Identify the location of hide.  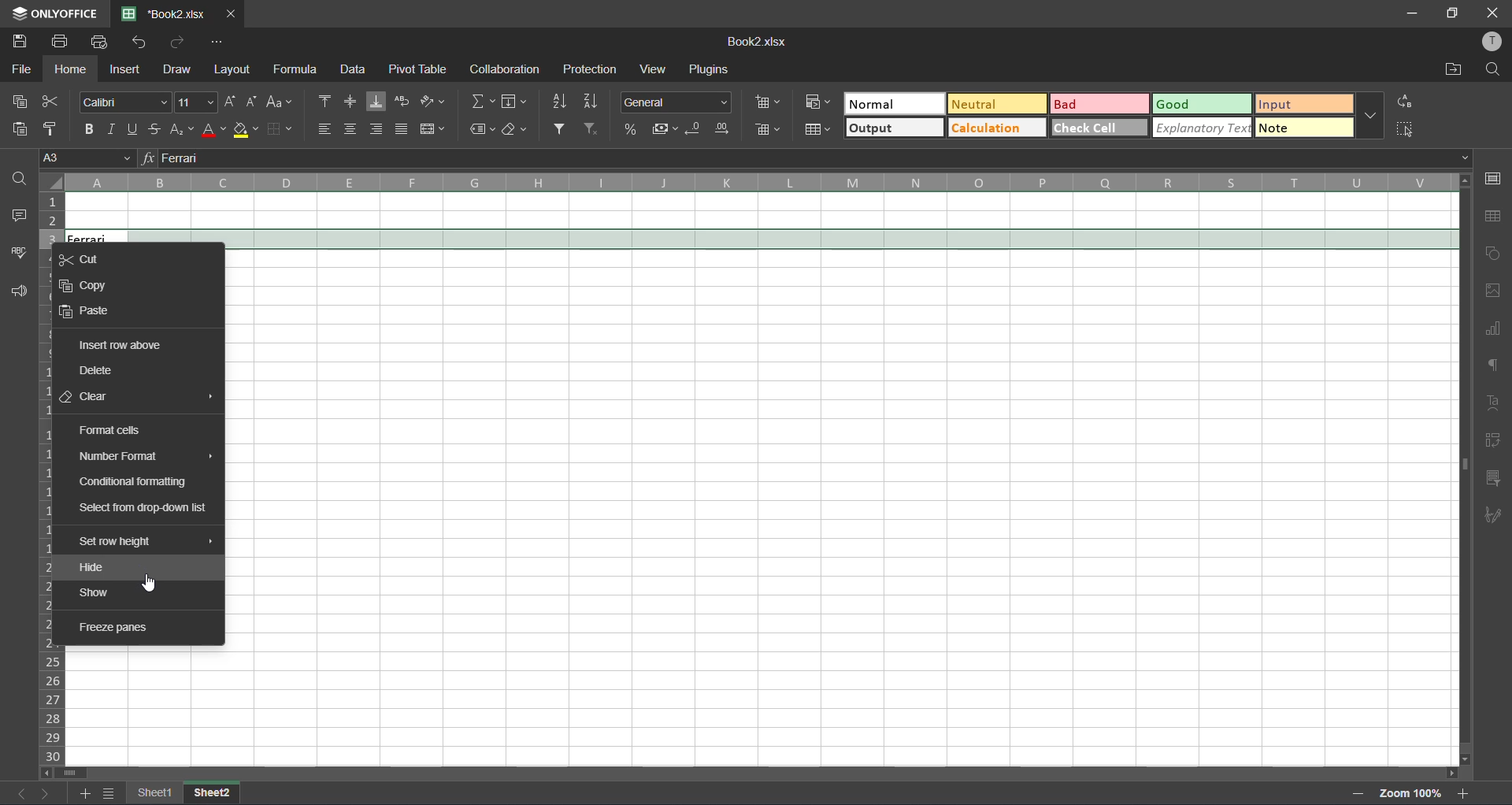
(93, 566).